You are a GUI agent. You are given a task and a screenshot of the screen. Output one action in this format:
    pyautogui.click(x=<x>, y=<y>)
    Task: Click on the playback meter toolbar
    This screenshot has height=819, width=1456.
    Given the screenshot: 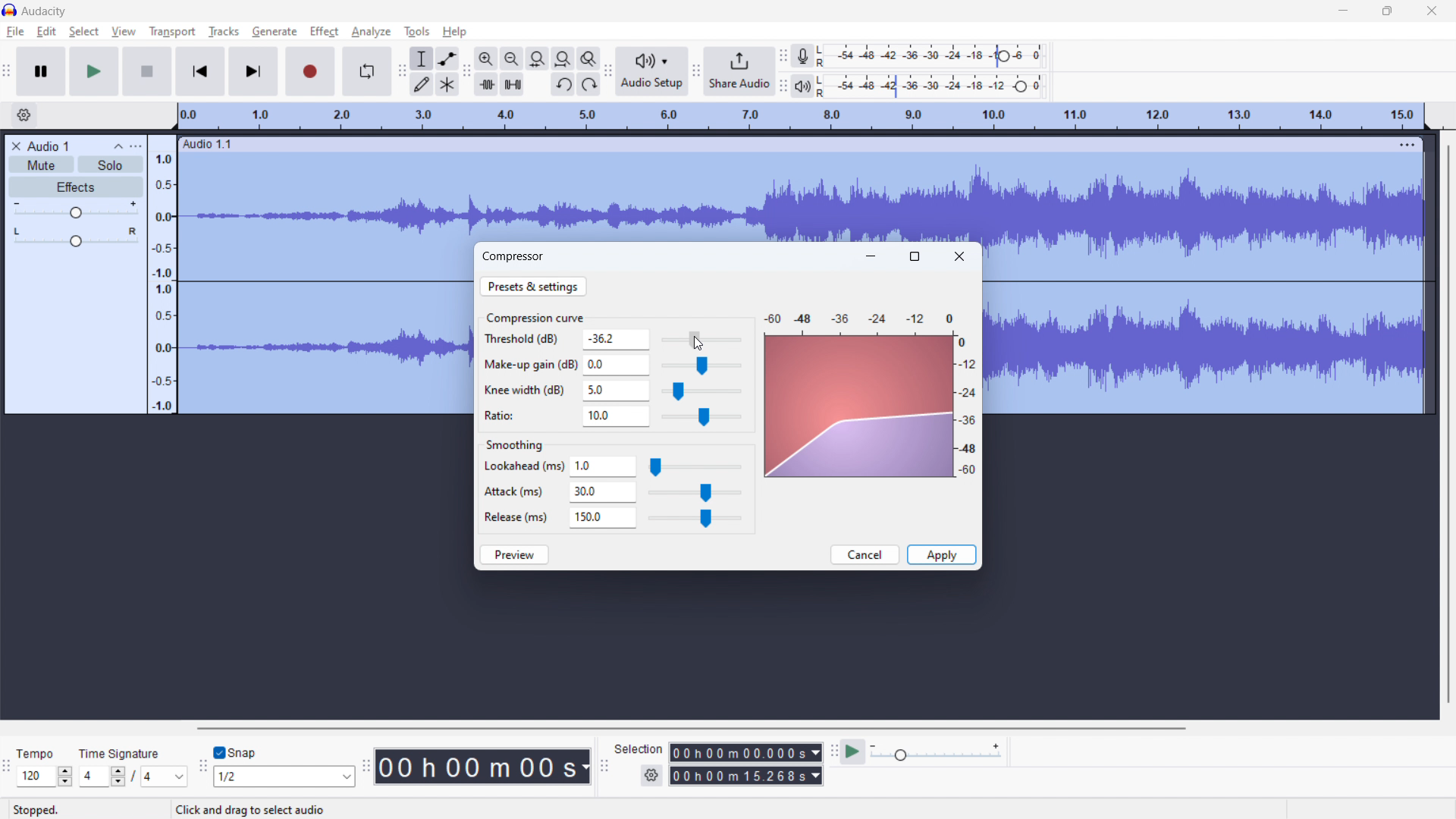 What is the action you would take?
    pyautogui.click(x=783, y=87)
    